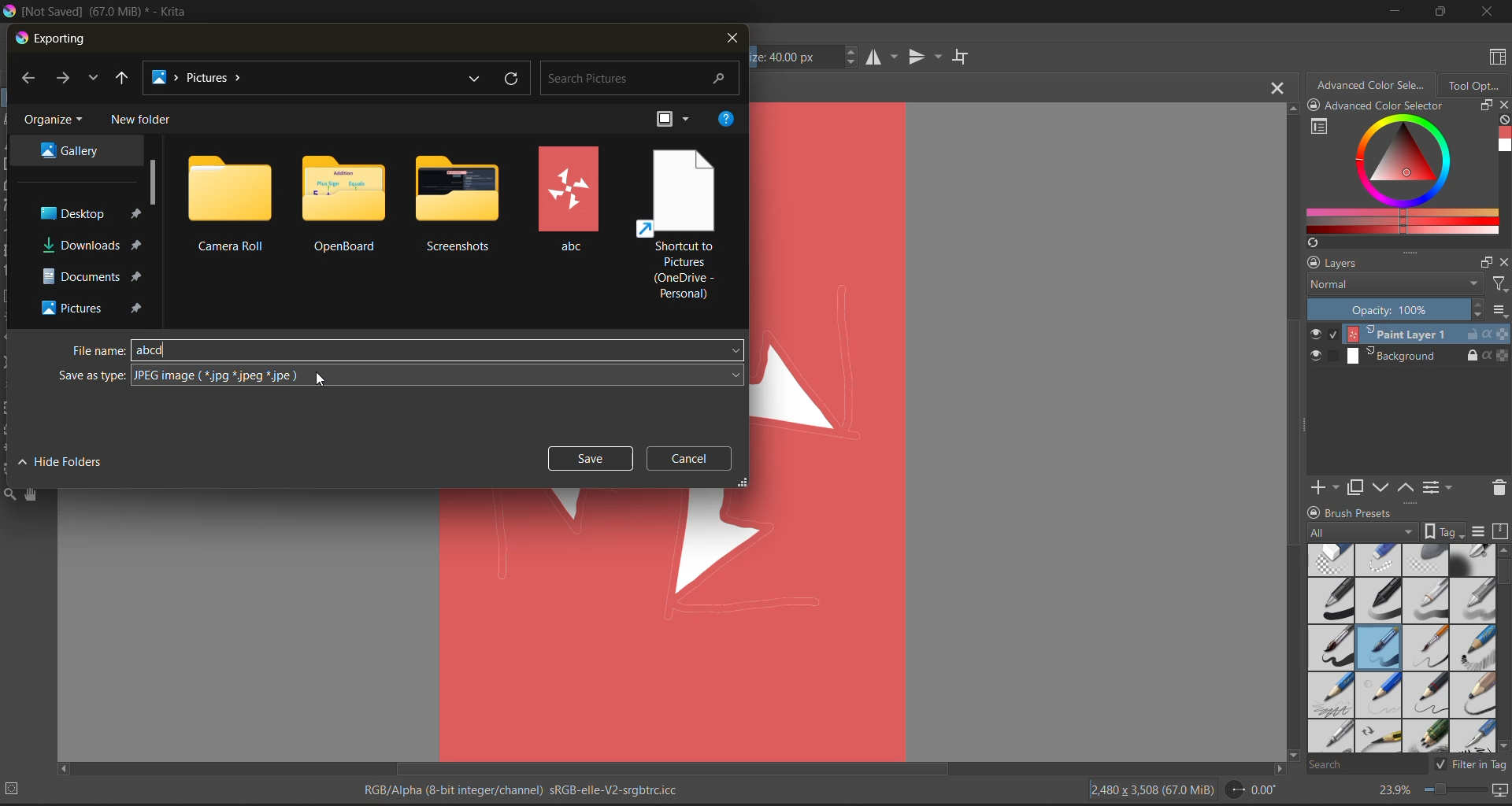 This screenshot has width=1512, height=806. What do you see at coordinates (479, 79) in the screenshot?
I see `recent` at bounding box center [479, 79].